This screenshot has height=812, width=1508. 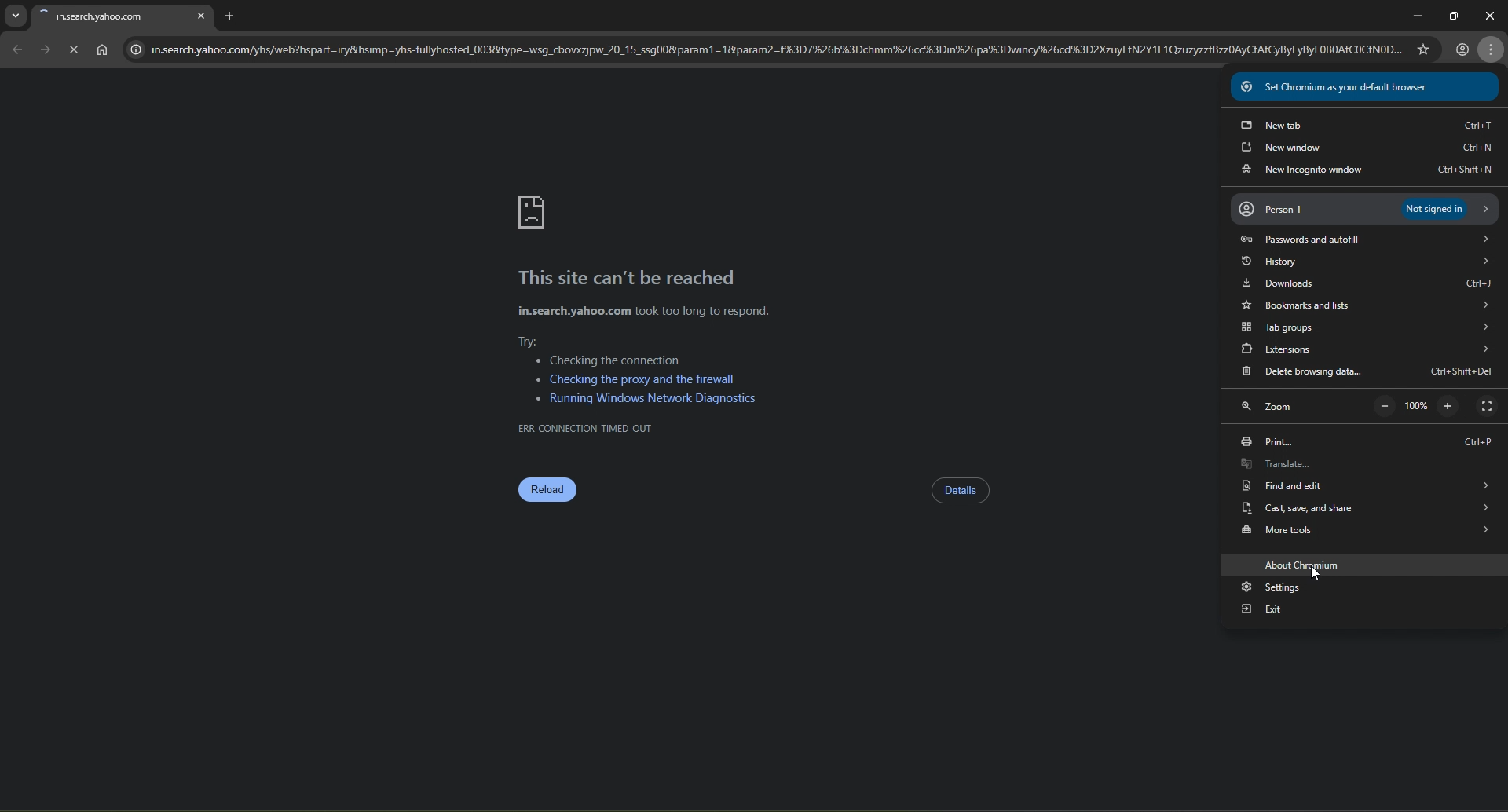 What do you see at coordinates (231, 16) in the screenshot?
I see `add tab` at bounding box center [231, 16].